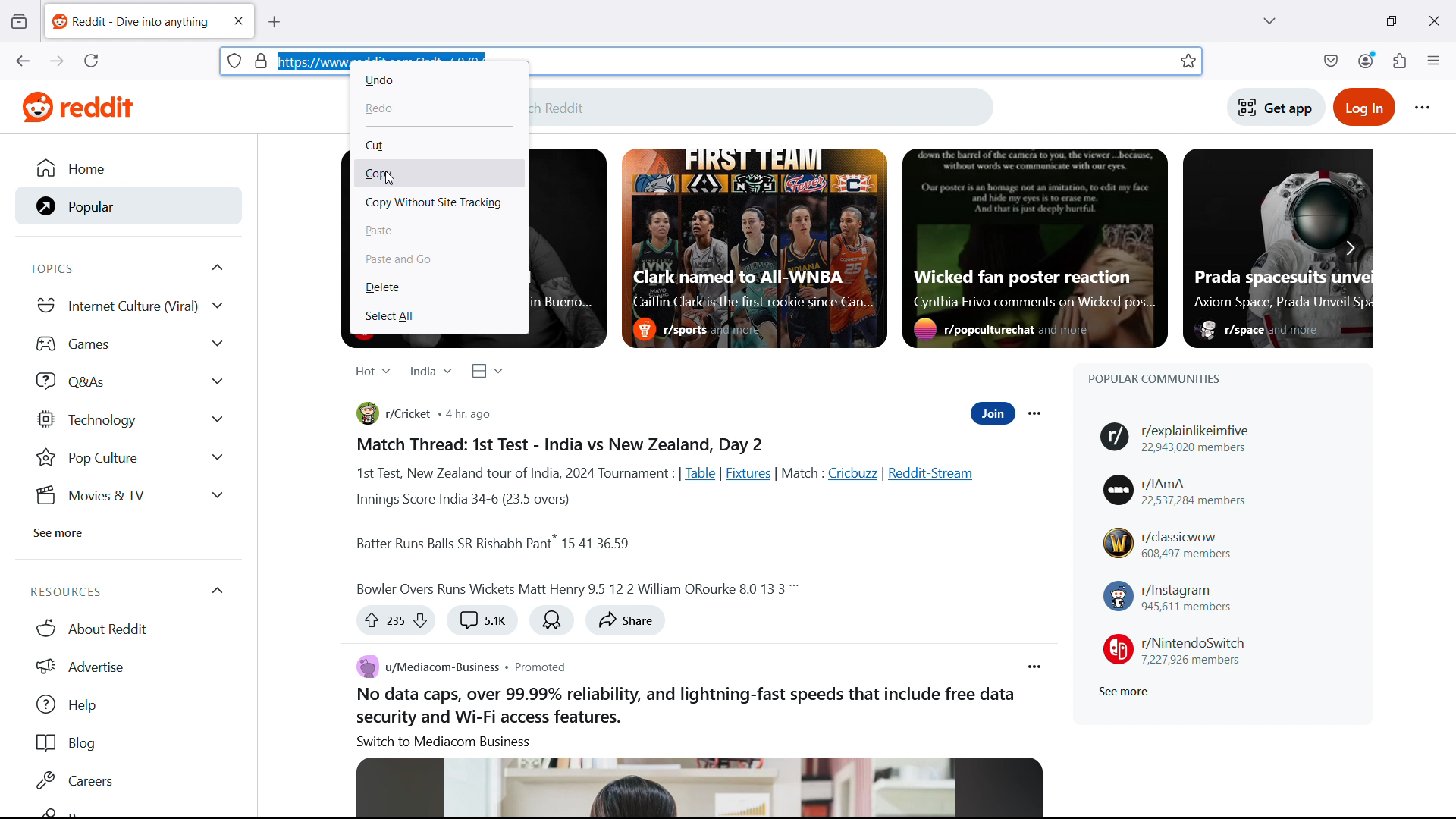  Describe the element at coordinates (440, 227) in the screenshot. I see `paste` at that location.